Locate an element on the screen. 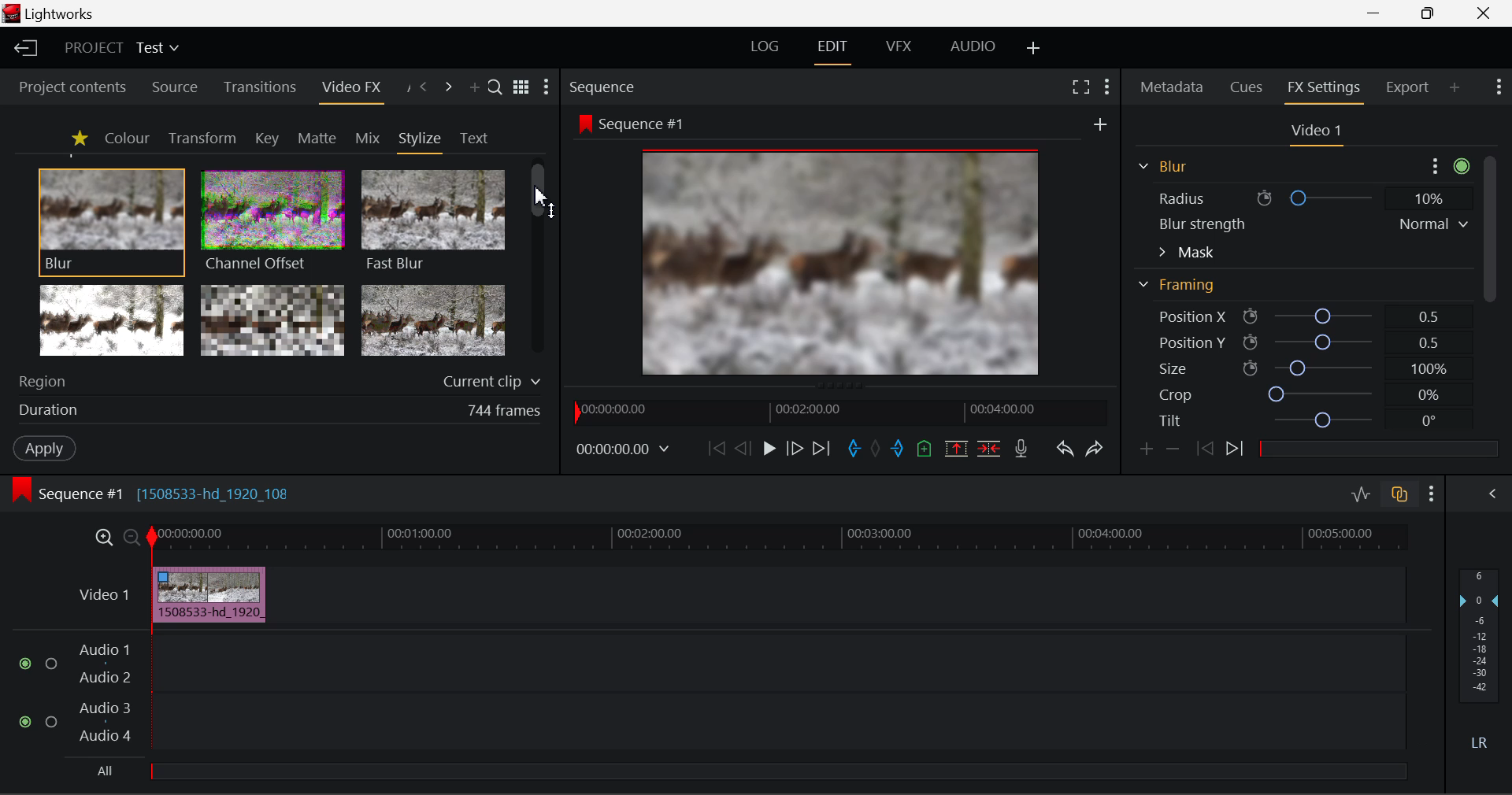  Video Layer is located at coordinates (101, 593).